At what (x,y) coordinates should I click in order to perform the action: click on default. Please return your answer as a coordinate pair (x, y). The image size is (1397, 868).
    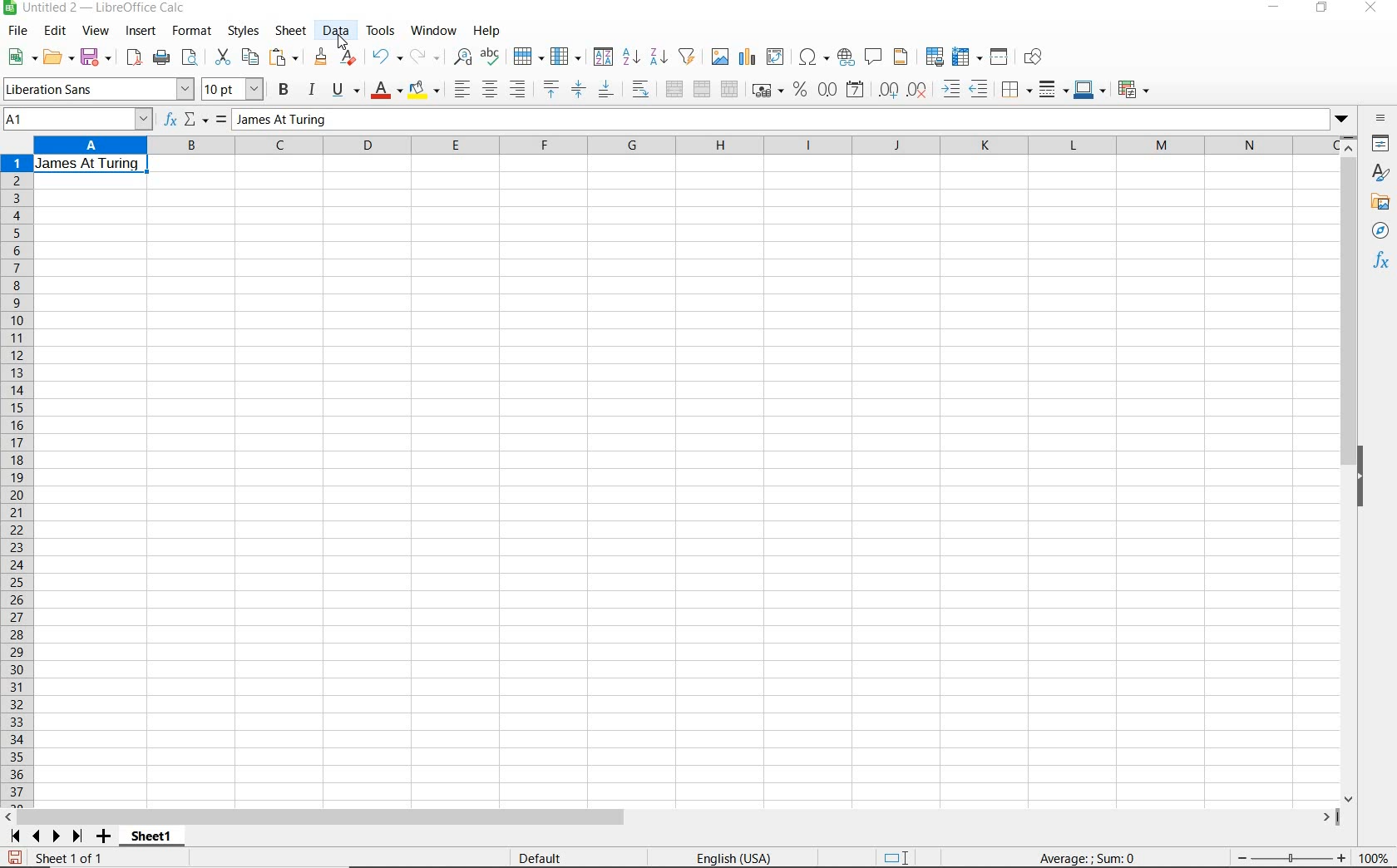
    Looking at the image, I should click on (536, 858).